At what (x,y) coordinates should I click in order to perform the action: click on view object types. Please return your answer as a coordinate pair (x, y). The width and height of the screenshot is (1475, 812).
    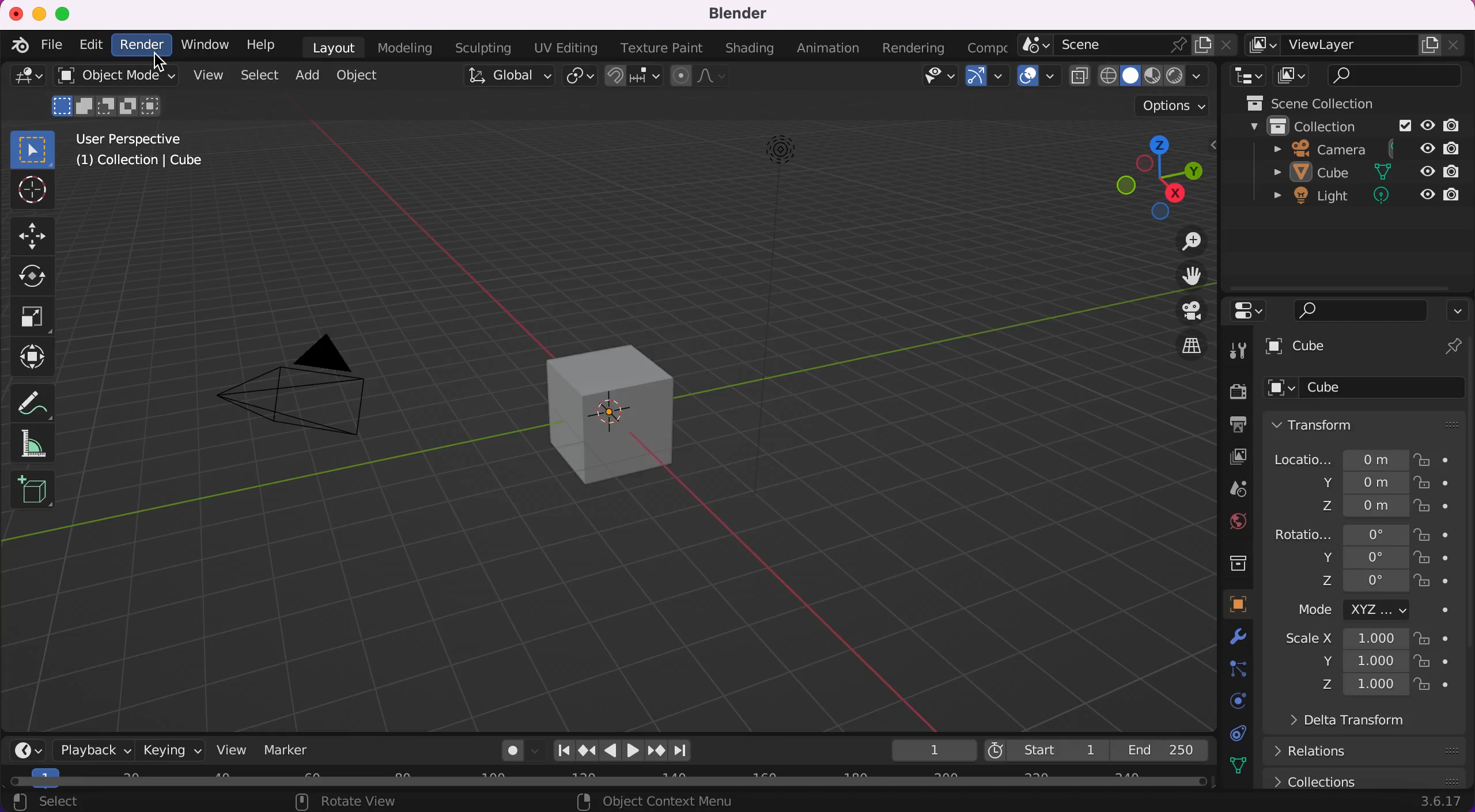
    Looking at the image, I should click on (936, 78).